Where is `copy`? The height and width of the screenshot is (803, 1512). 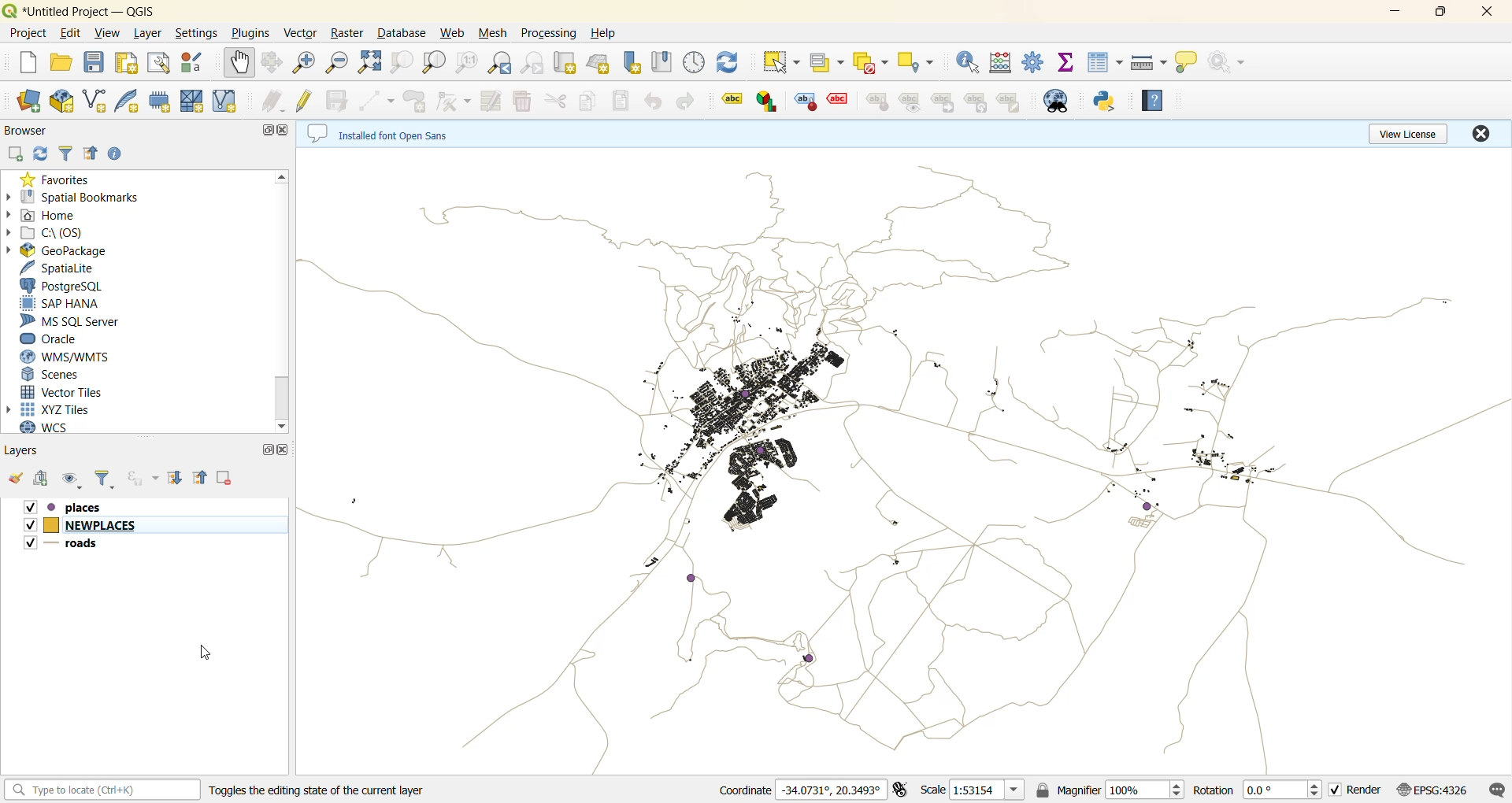 copy is located at coordinates (589, 100).